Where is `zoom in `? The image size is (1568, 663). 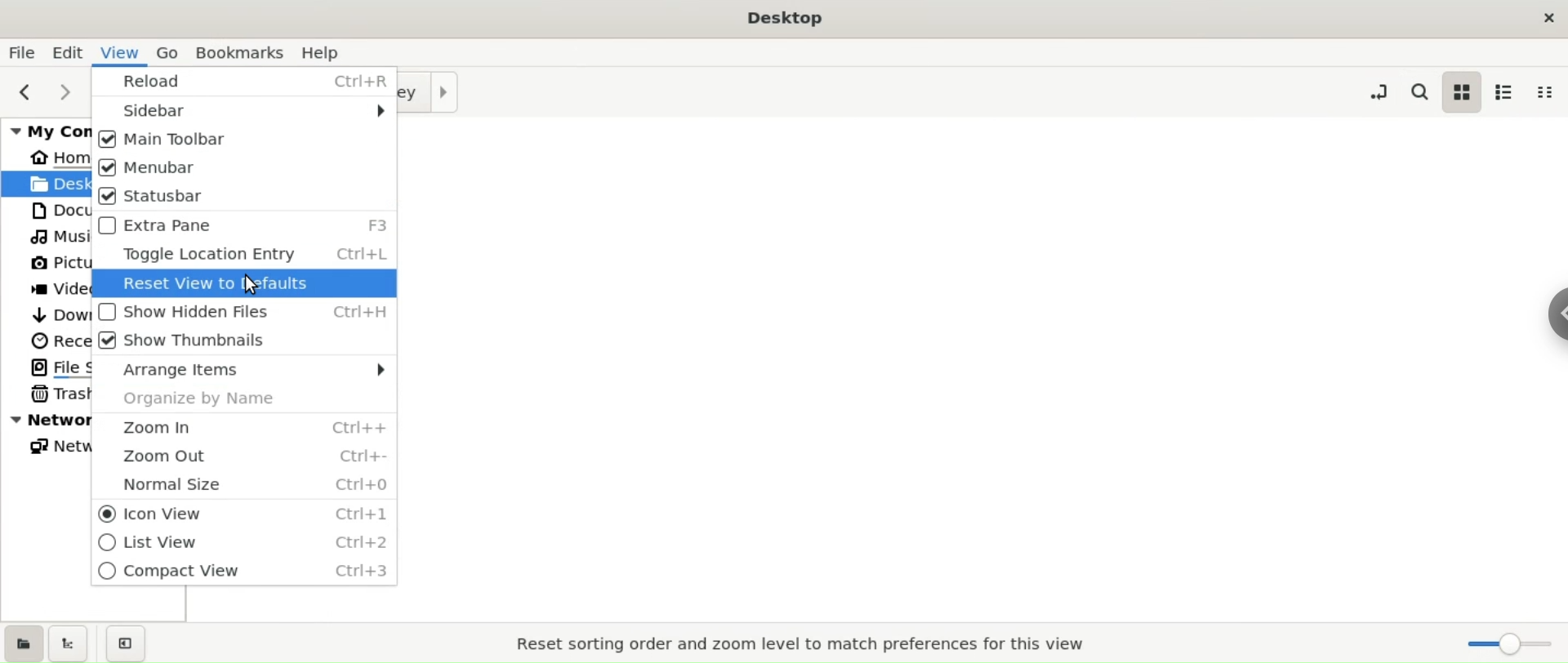
zoom in  is located at coordinates (243, 429).